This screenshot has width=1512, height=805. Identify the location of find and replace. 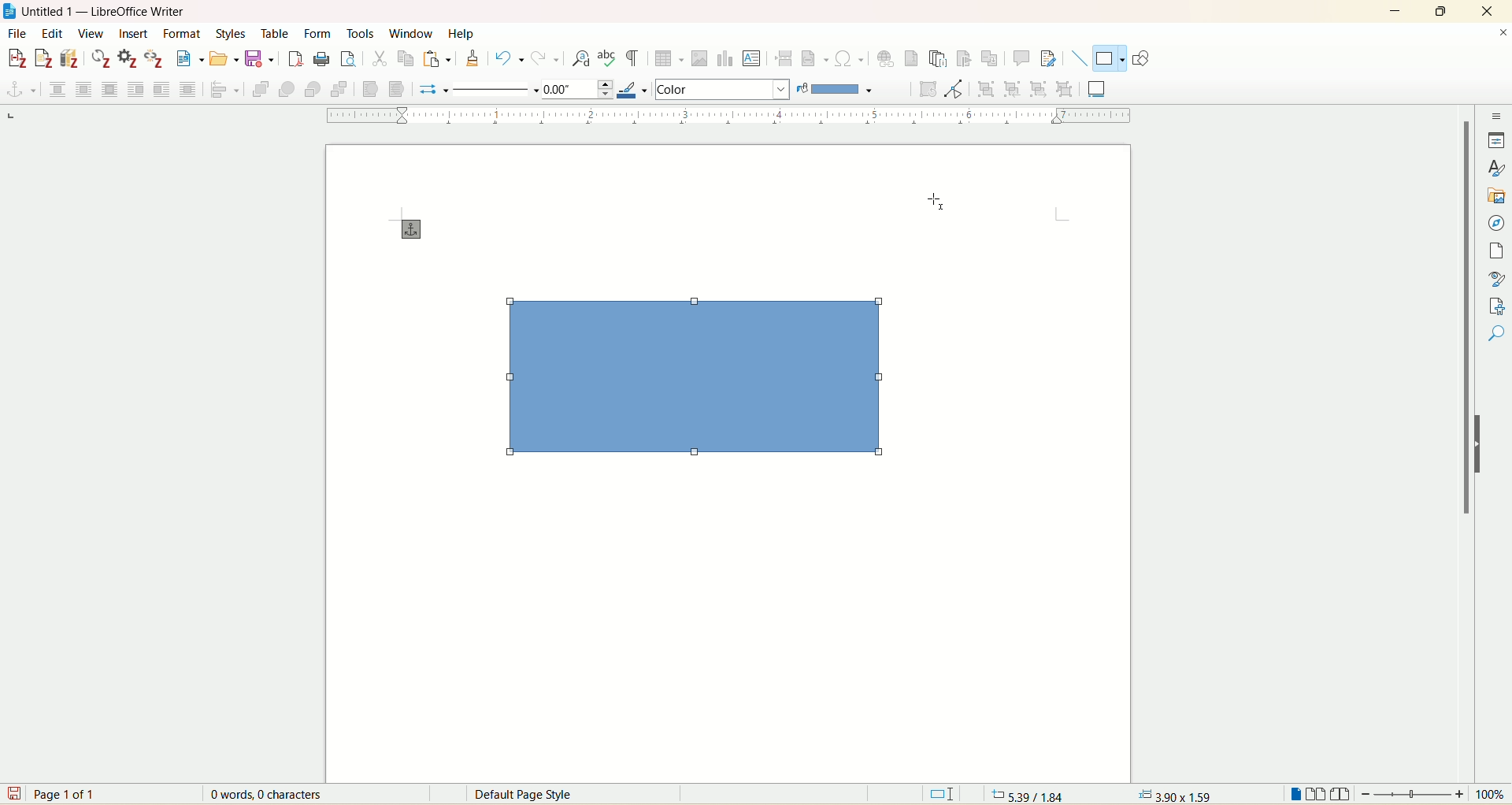
(582, 59).